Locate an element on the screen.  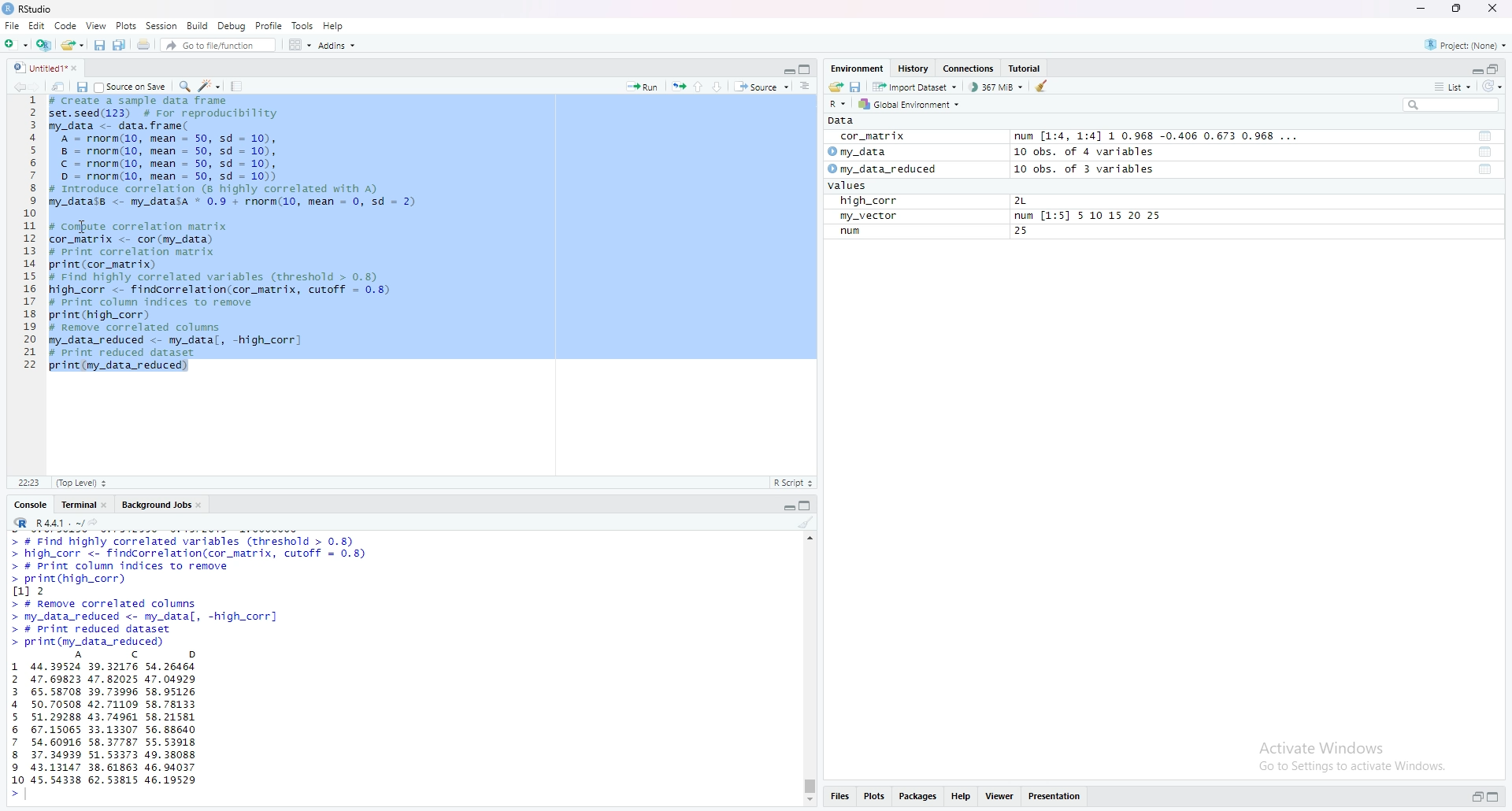
1 2 3 4 5 6 7 8 9 10 11 12 13 14 15 16 17 18 19 20 21 22 is located at coordinates (30, 233).